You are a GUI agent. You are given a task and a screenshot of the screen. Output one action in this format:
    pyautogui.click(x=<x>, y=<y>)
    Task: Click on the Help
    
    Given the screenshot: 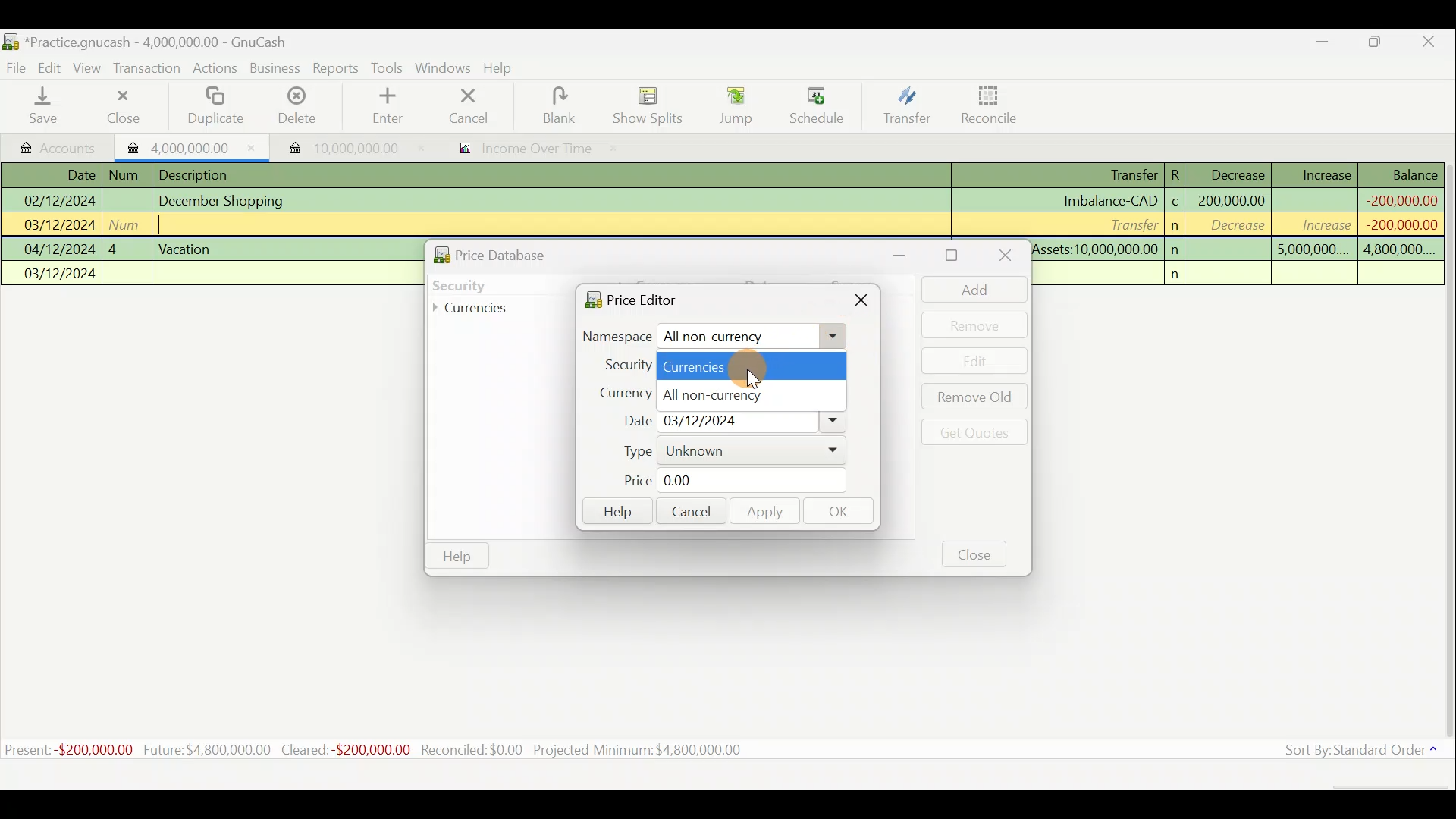 What is the action you would take?
    pyautogui.click(x=616, y=512)
    